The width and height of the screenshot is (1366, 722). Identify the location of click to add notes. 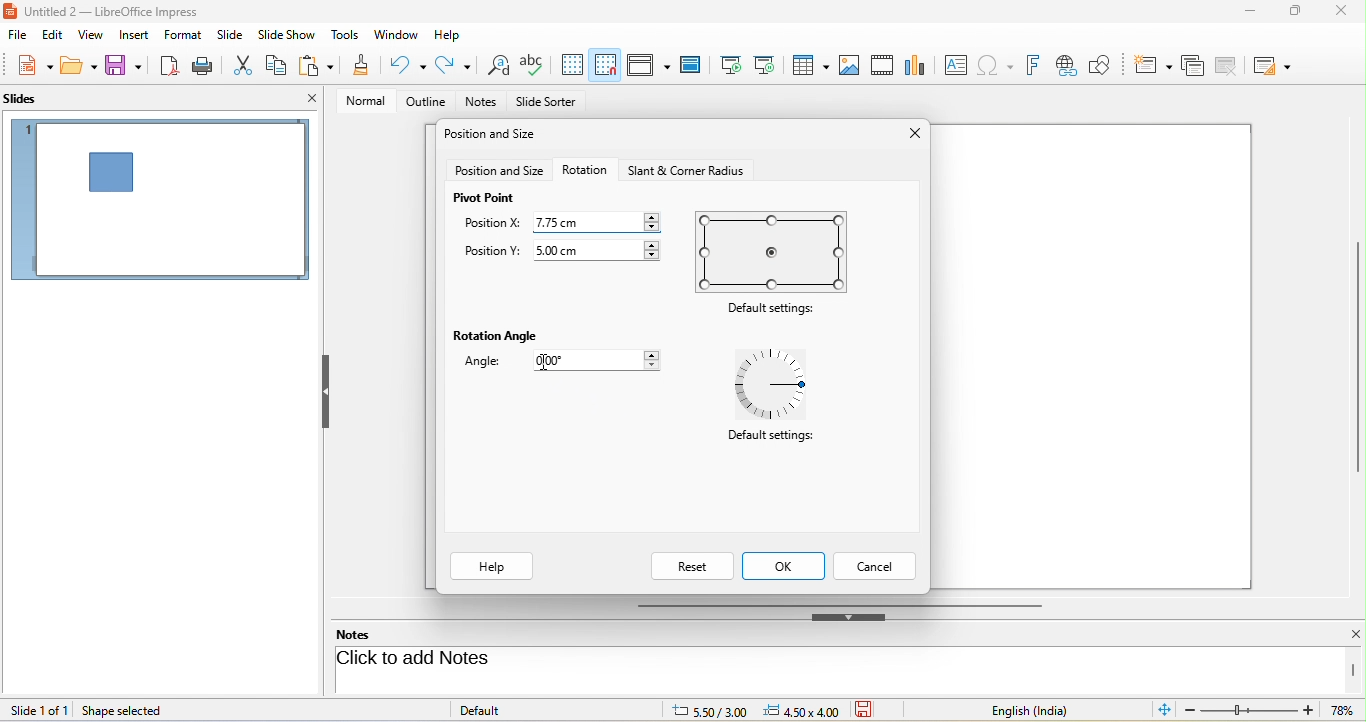
(492, 660).